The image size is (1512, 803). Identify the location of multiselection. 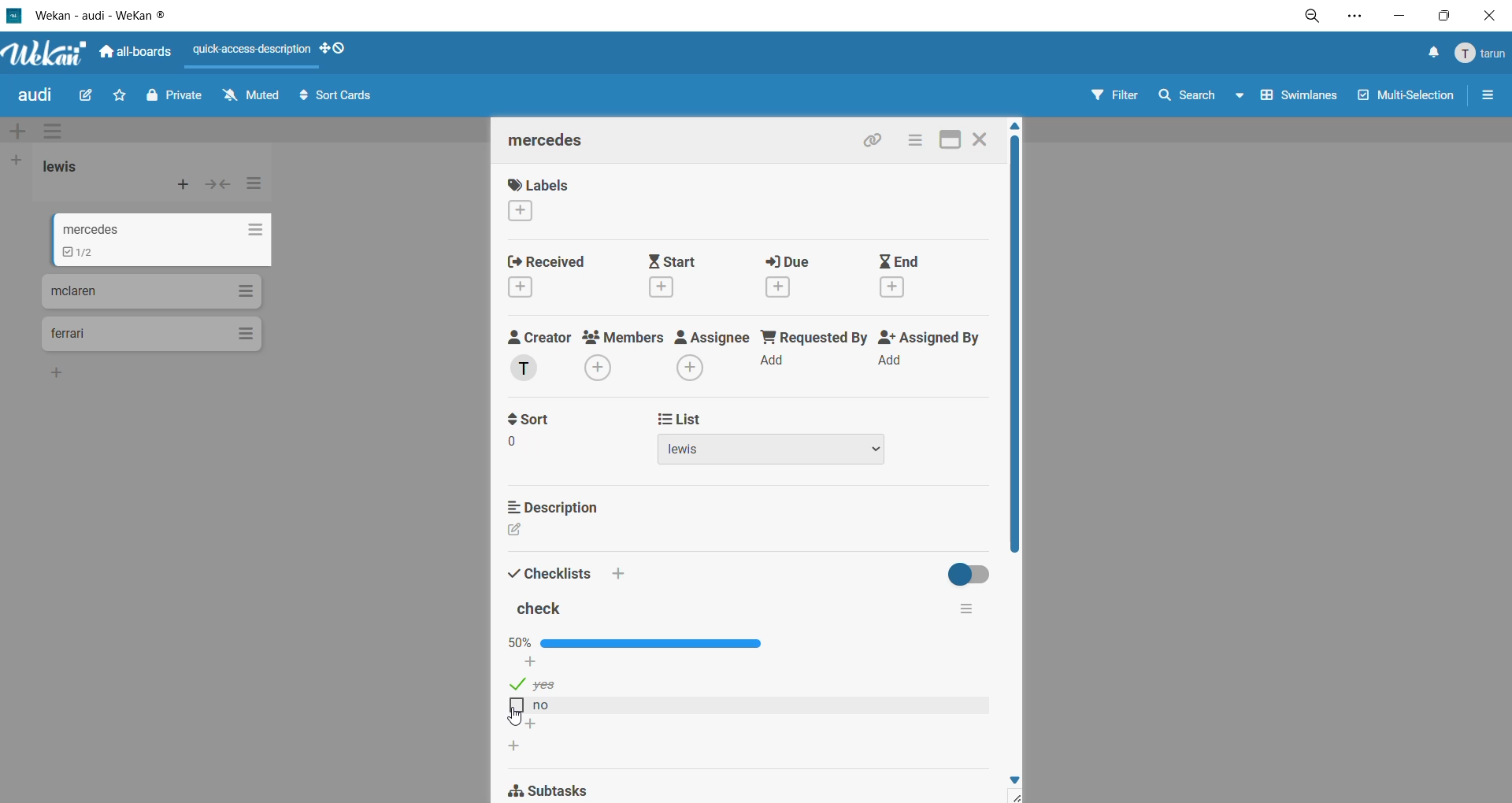
(1408, 98).